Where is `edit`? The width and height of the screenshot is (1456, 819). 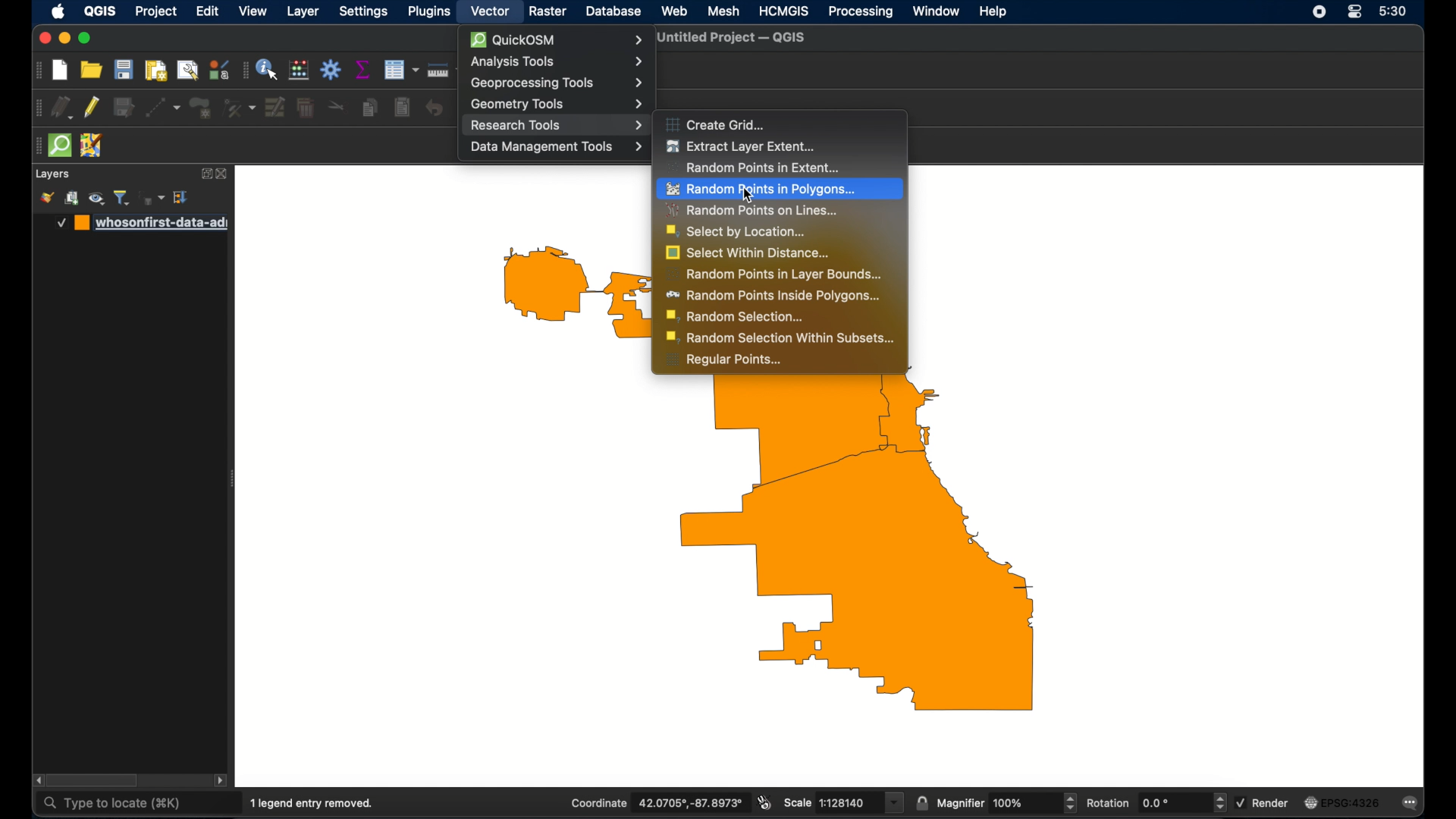 edit is located at coordinates (207, 11).